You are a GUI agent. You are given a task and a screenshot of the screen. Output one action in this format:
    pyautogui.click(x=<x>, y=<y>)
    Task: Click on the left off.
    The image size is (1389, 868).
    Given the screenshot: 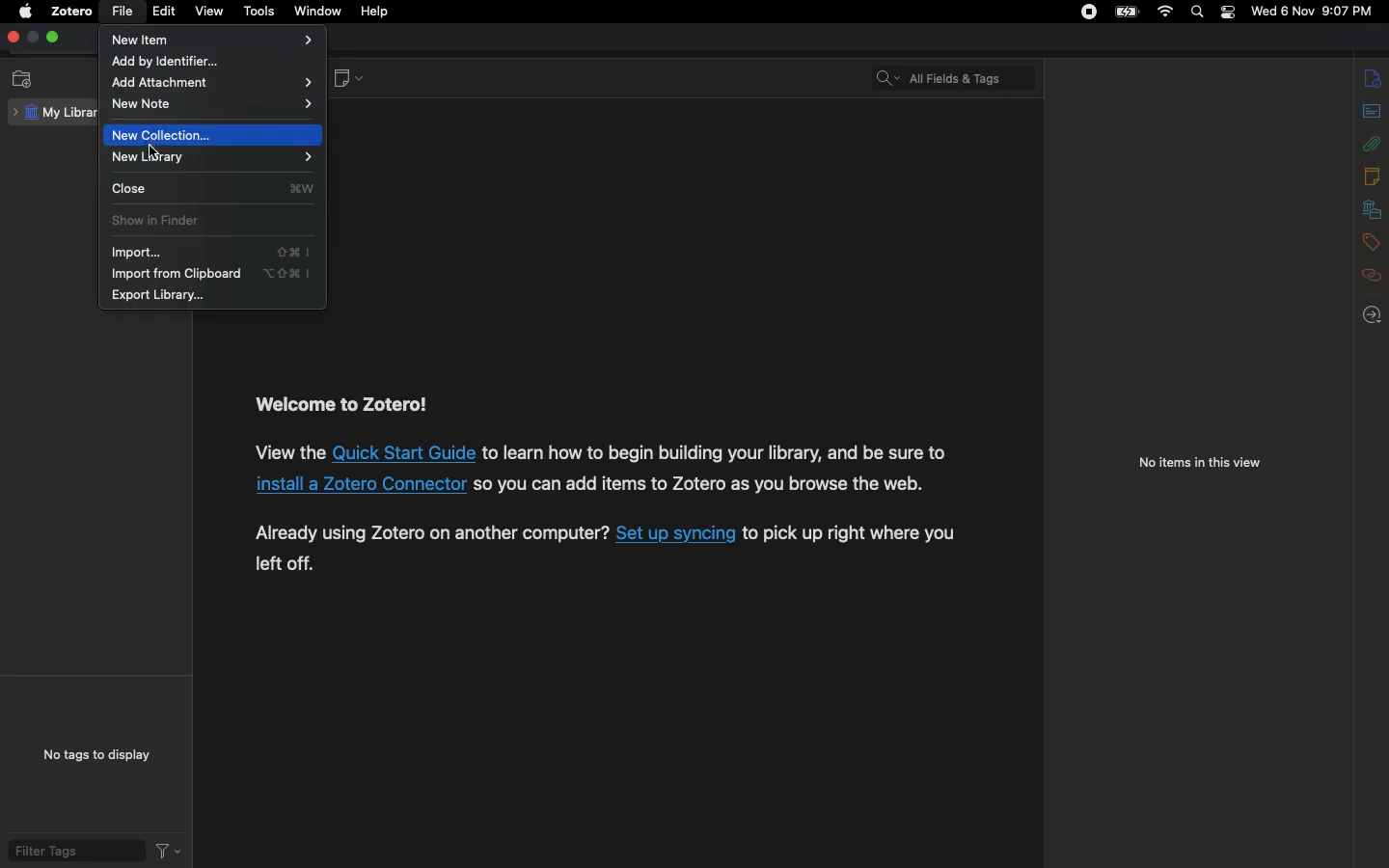 What is the action you would take?
    pyautogui.click(x=285, y=563)
    